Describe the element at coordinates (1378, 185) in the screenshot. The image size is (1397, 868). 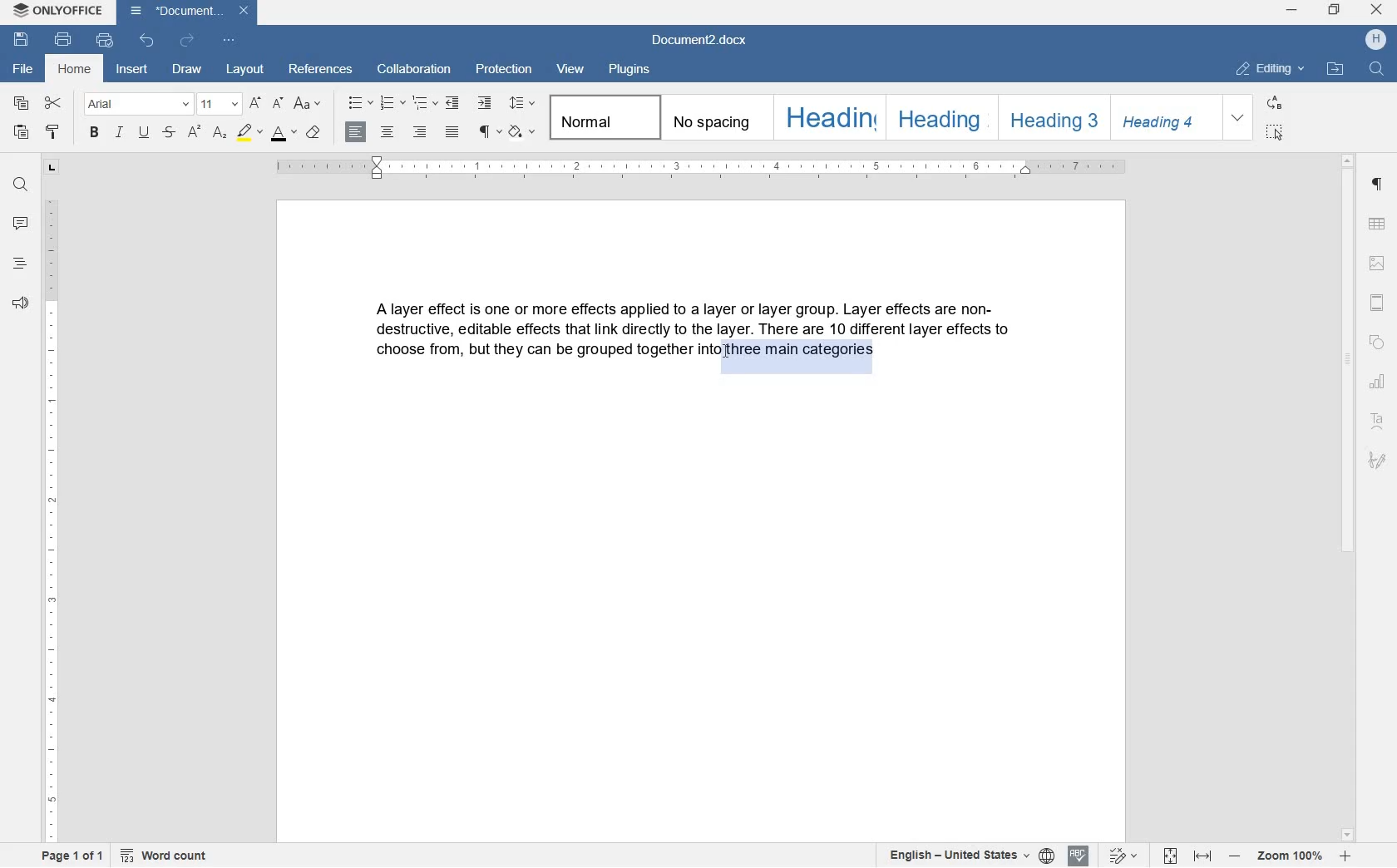
I see `paragraph setting` at that location.